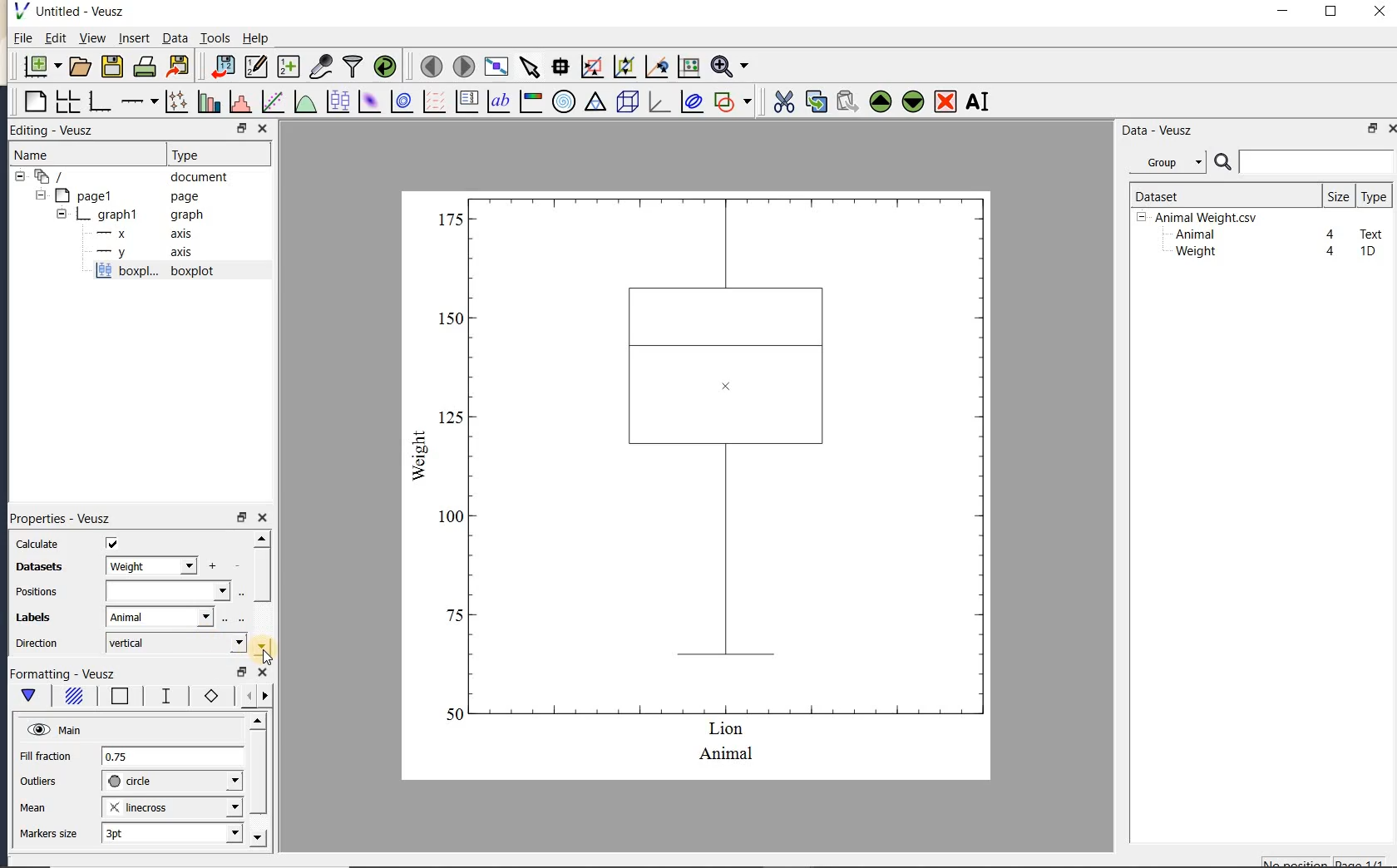  What do you see at coordinates (698, 484) in the screenshot?
I see `box plot` at bounding box center [698, 484].